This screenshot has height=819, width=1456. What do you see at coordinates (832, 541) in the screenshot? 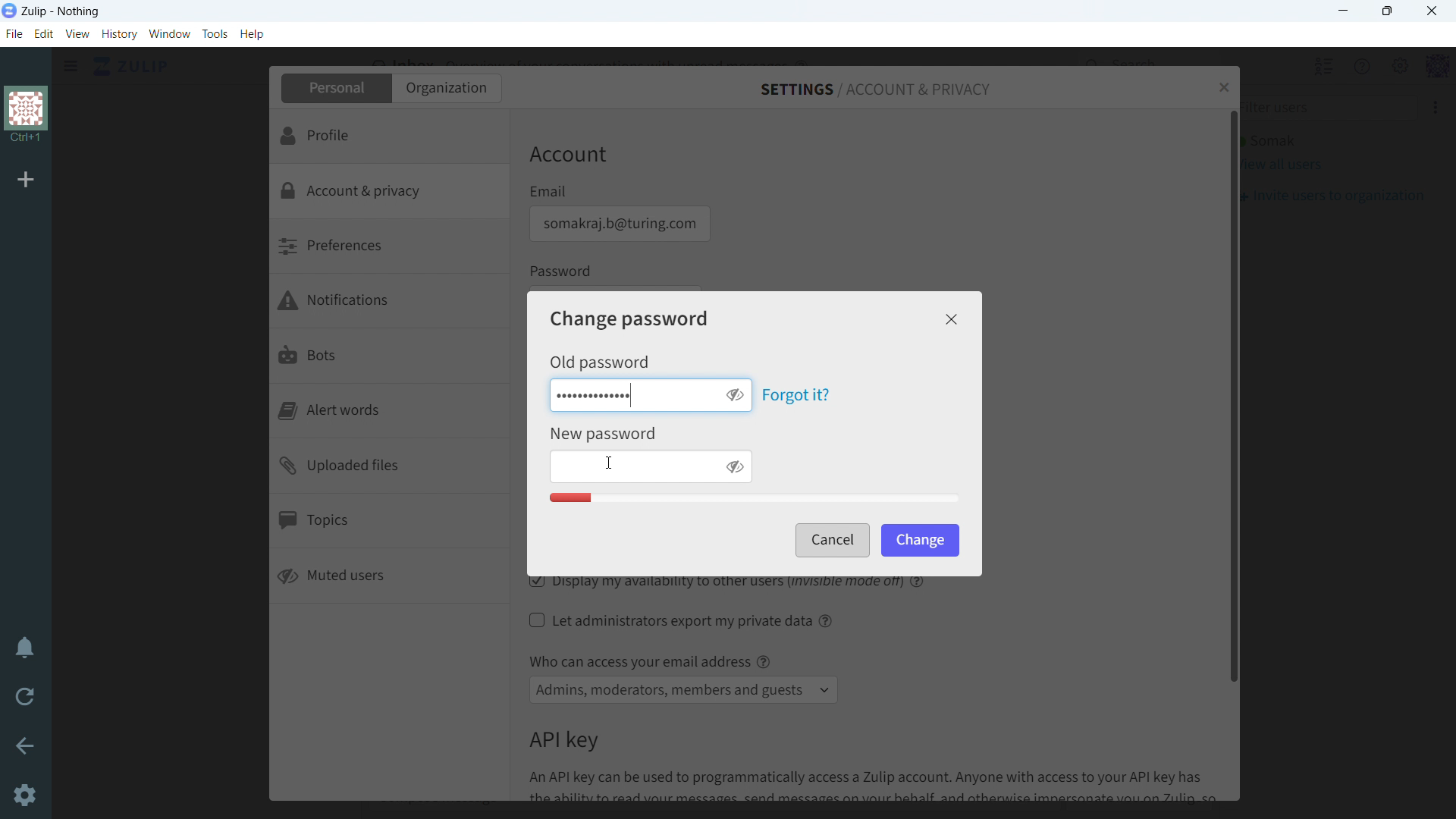
I see `cancel` at bounding box center [832, 541].